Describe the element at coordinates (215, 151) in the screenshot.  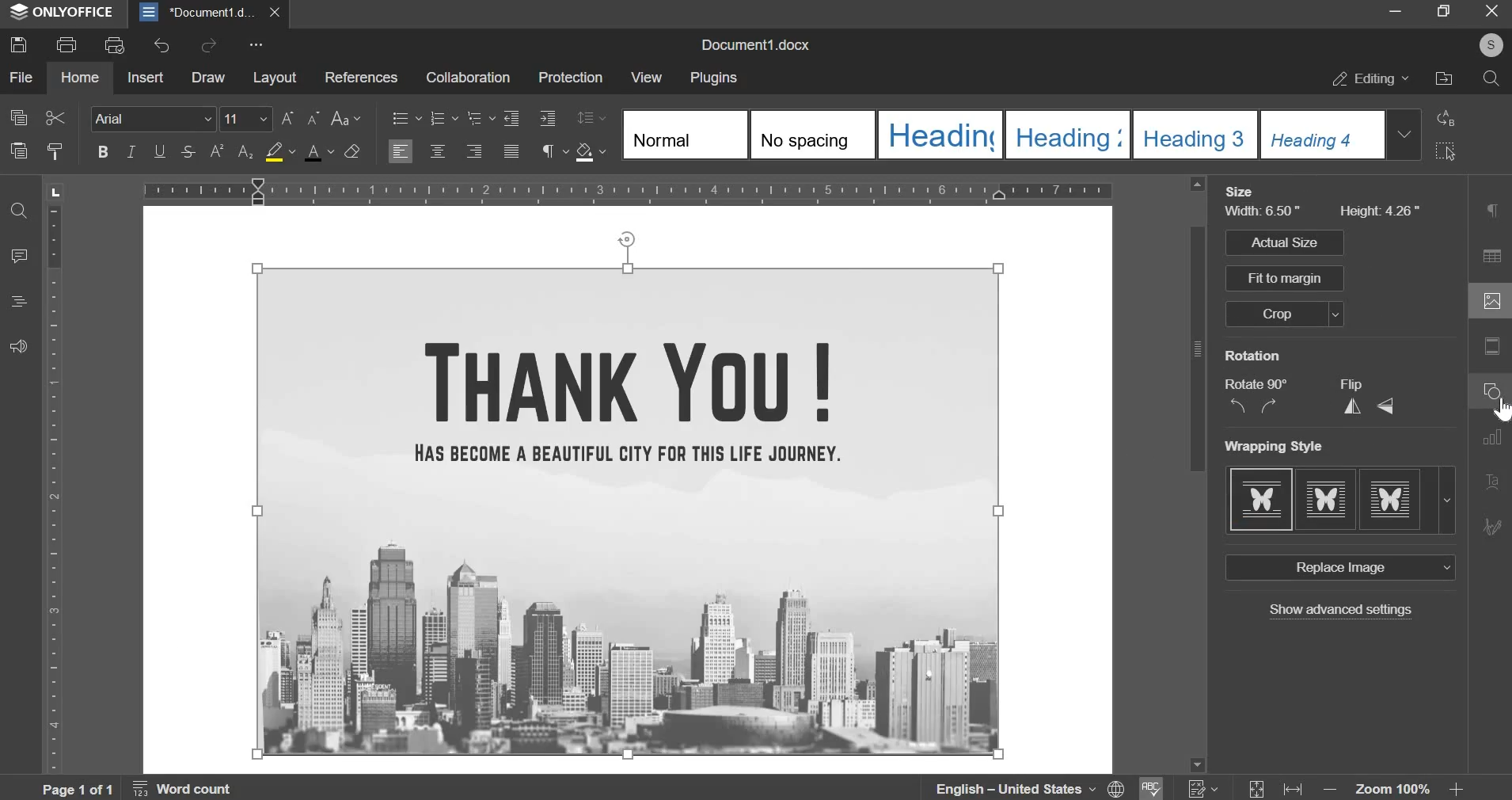
I see `superscript` at that location.